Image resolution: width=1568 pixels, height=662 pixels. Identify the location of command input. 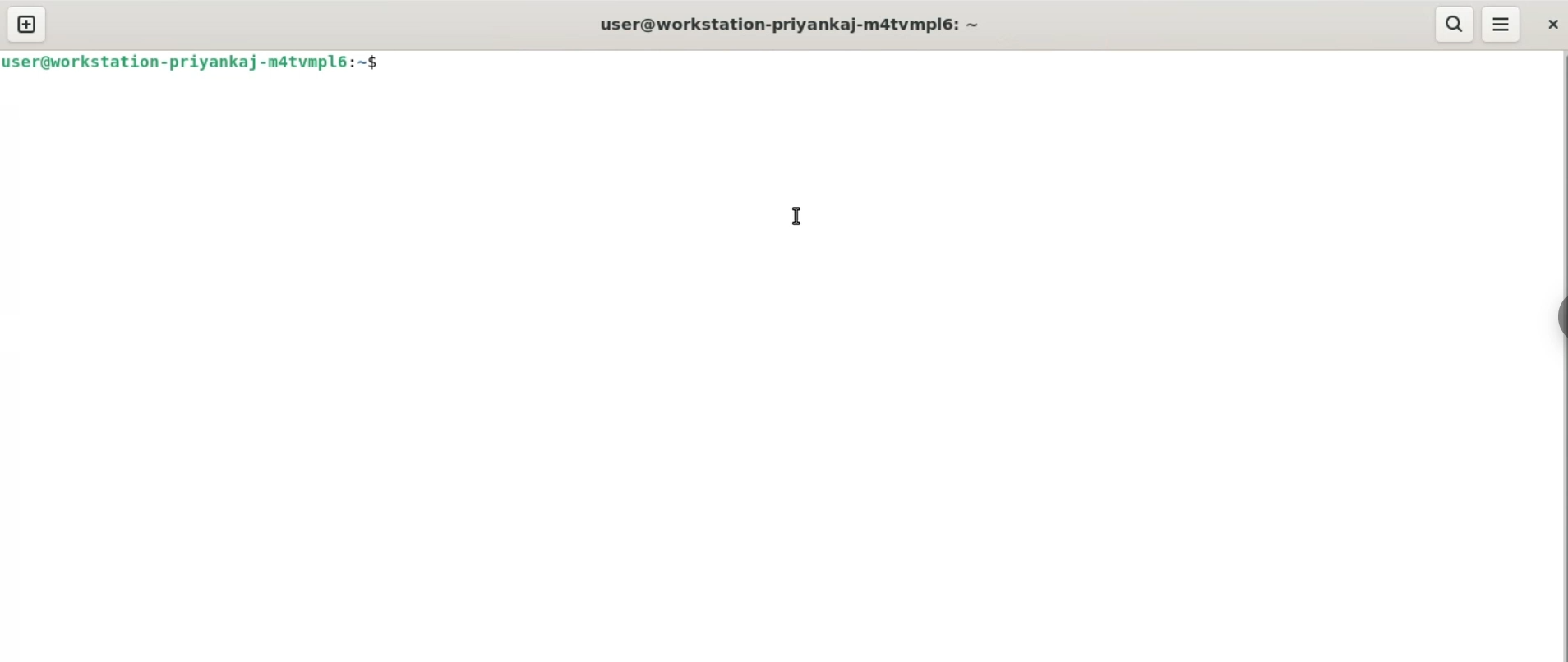
(963, 65).